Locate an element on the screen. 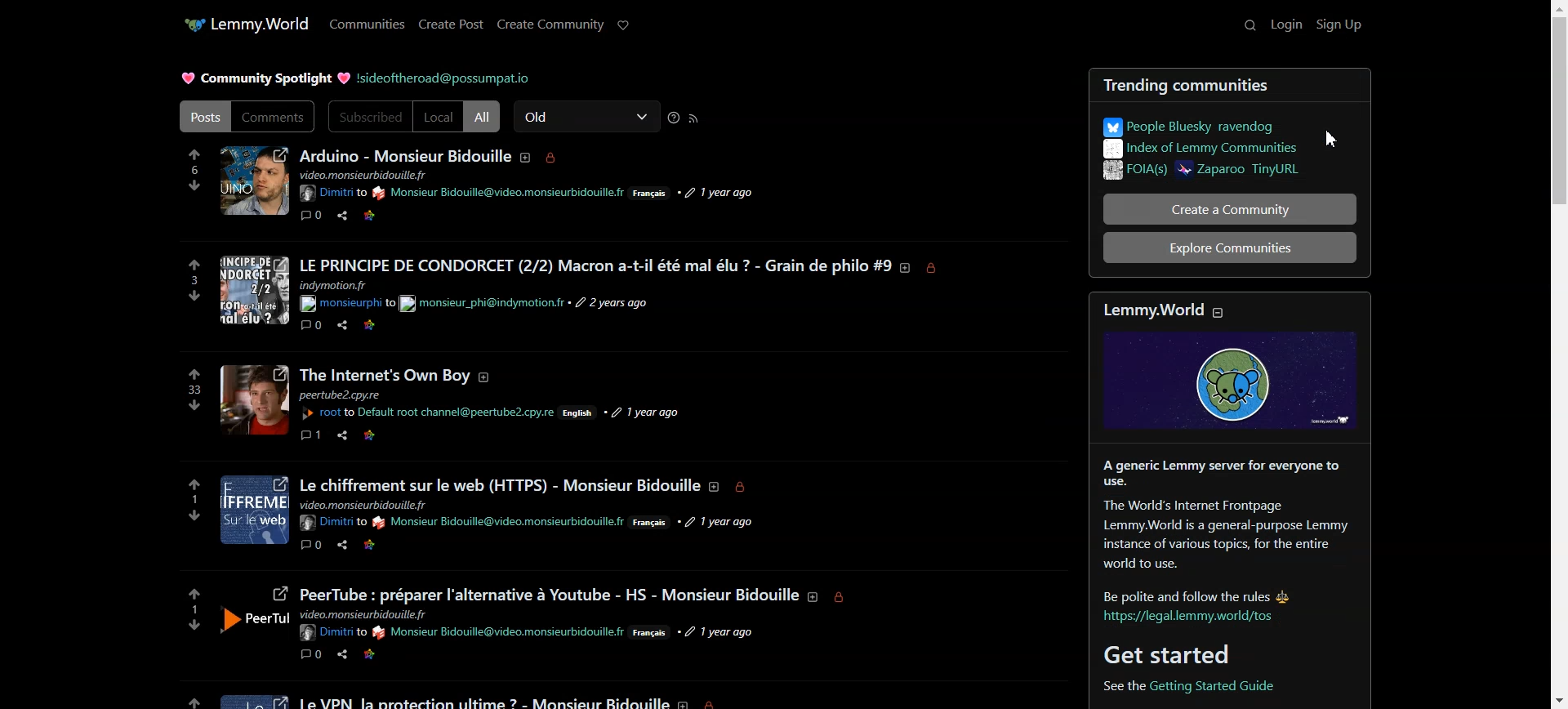  6 is located at coordinates (194, 168).